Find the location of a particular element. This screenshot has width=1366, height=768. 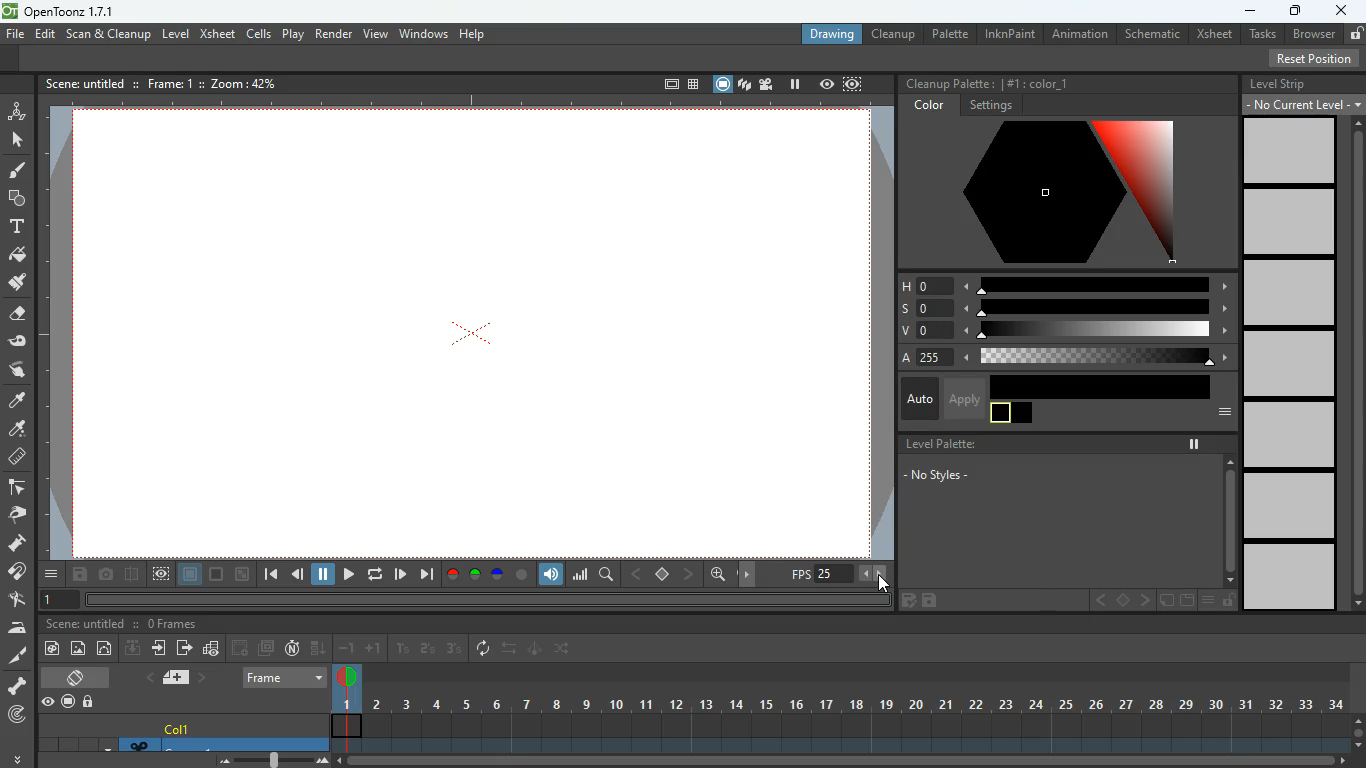

begin is located at coordinates (270, 576).